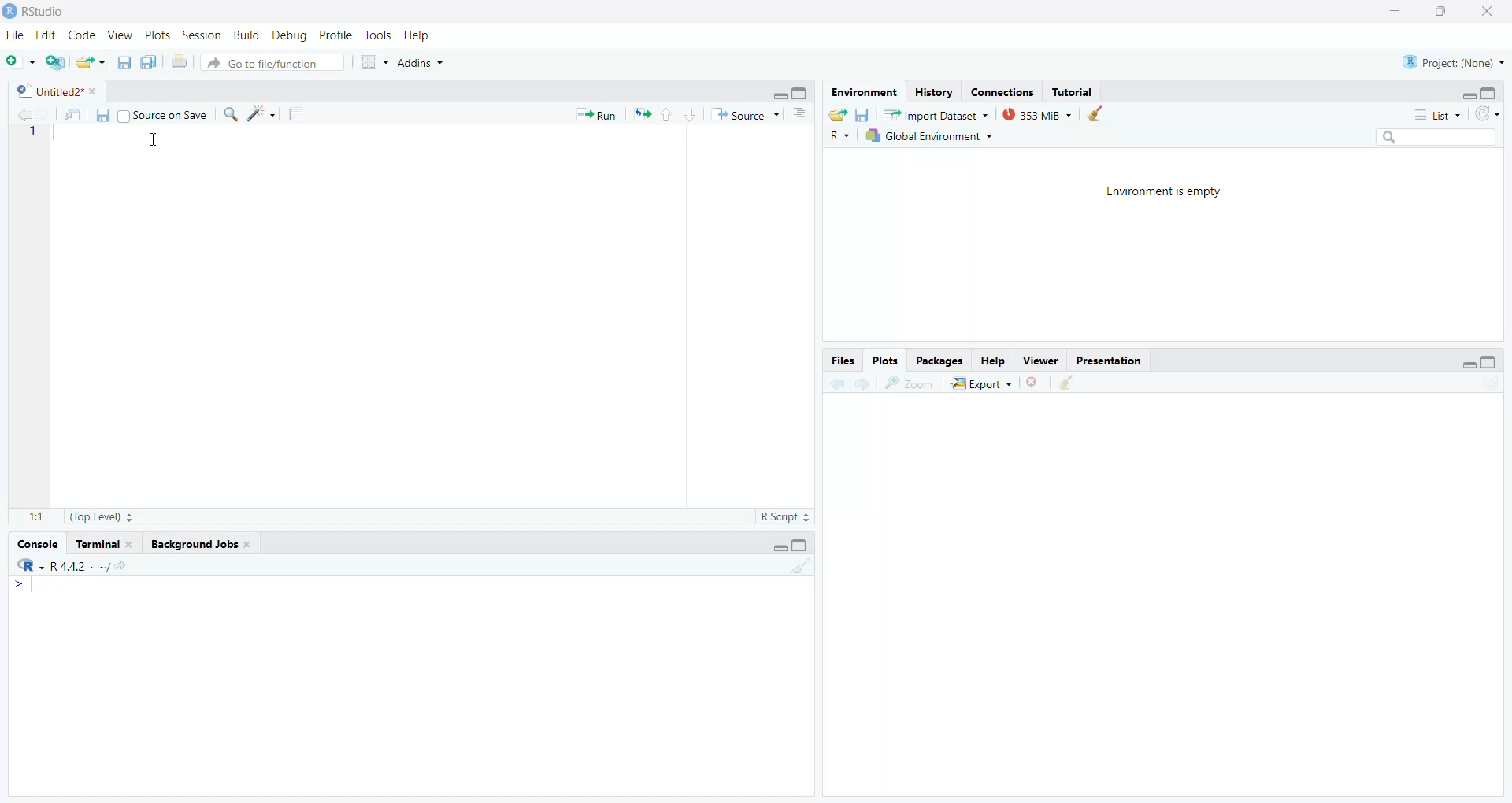 The image size is (1512, 803). I want to click on Build, so click(245, 35).